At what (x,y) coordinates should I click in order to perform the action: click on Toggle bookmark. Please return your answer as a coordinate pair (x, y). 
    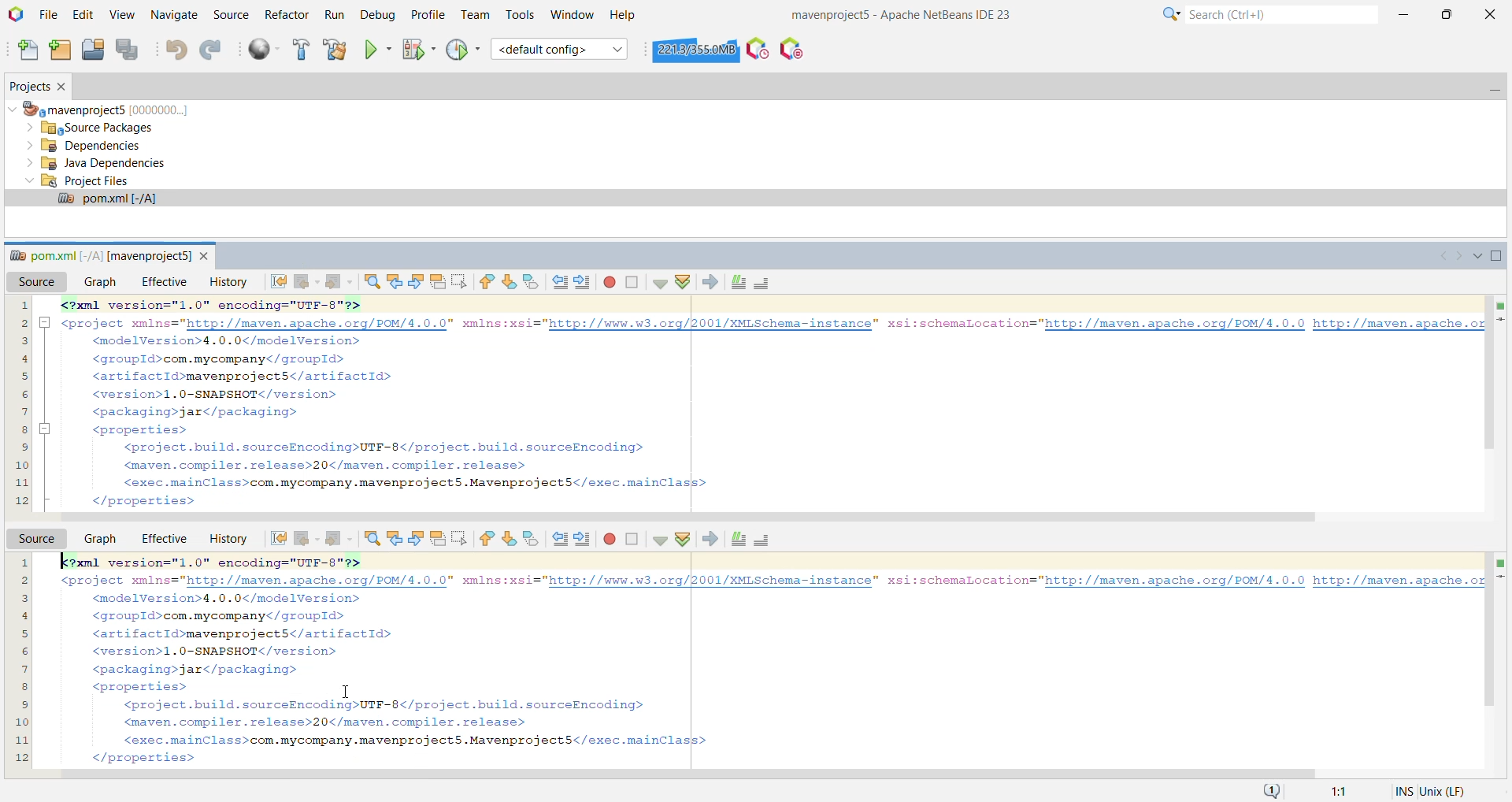
    Looking at the image, I should click on (533, 280).